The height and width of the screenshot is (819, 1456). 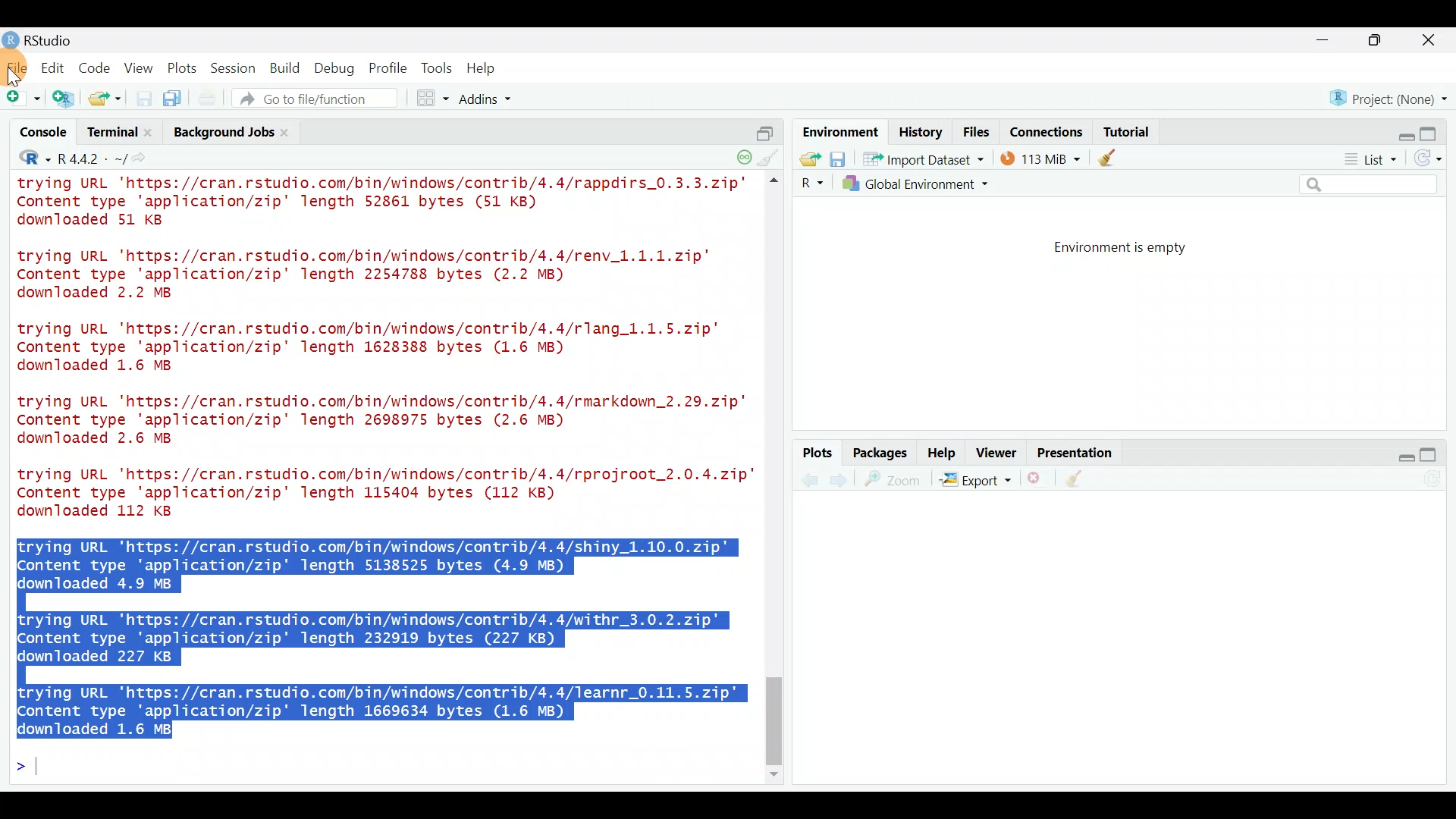 I want to click on trying URL 'https://cran.rstudio.com/bin/windows/contrib/4.4/withr_3.0.2.zip"
Content type 'application/zip' length 232919 bytes (227 KB)
downloaded 227 KB, so click(x=372, y=638).